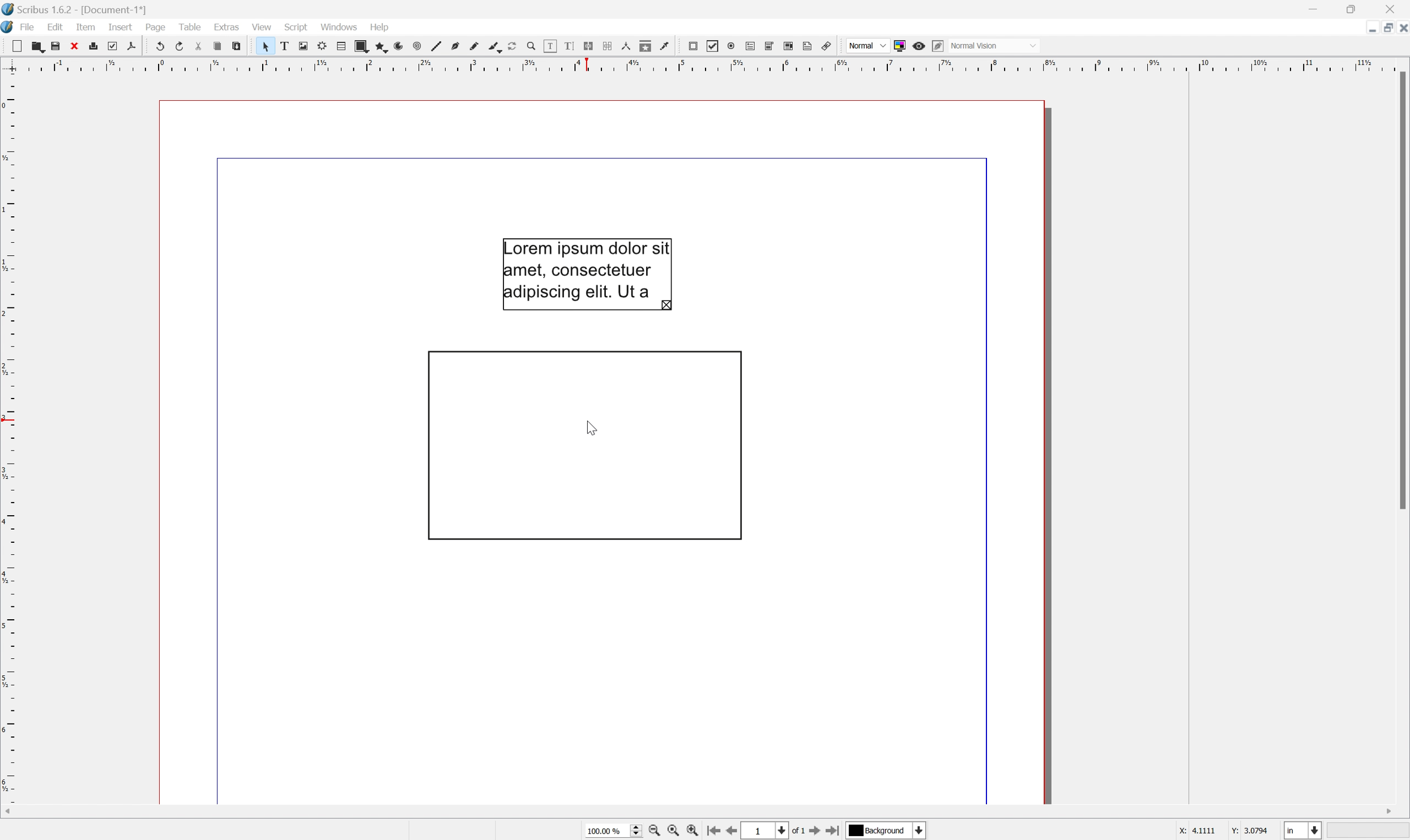 The image size is (1410, 840). What do you see at coordinates (112, 47) in the screenshot?
I see `Preflight verifier` at bounding box center [112, 47].